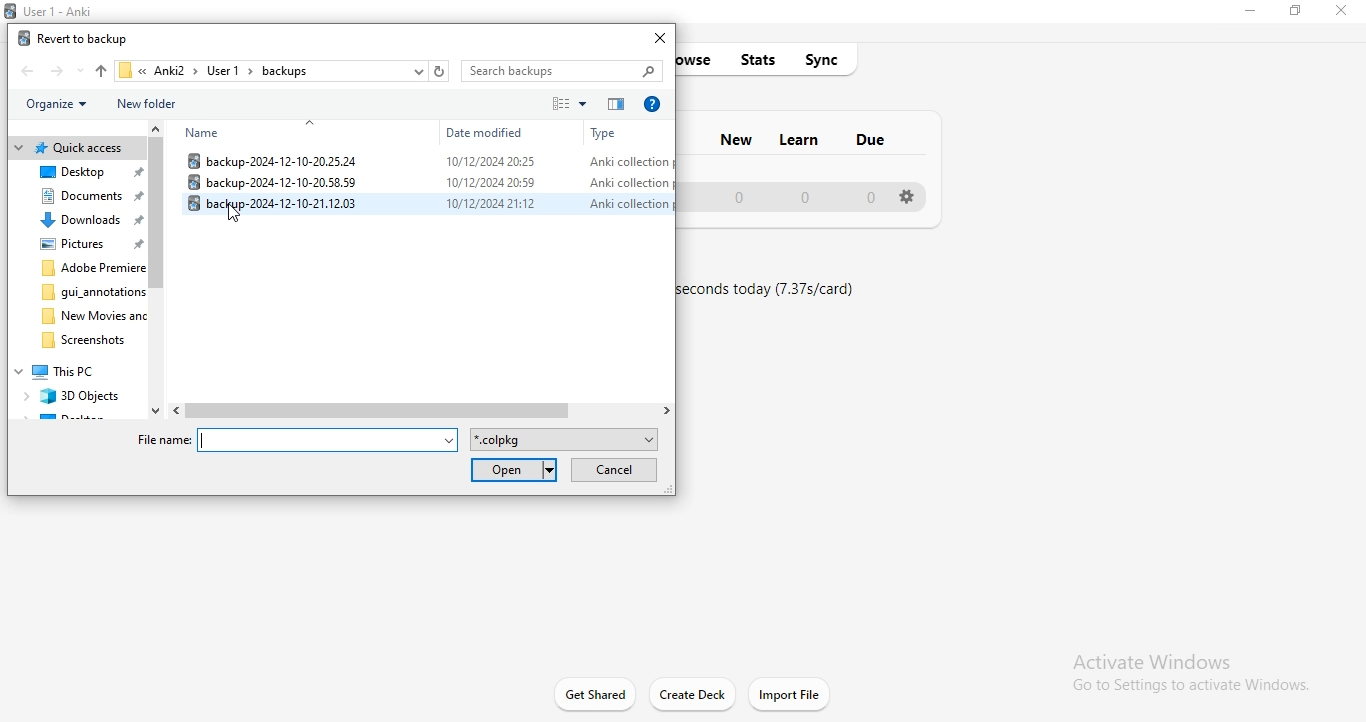 The image size is (1366, 722). Describe the element at coordinates (281, 70) in the screenshot. I see `file path` at that location.